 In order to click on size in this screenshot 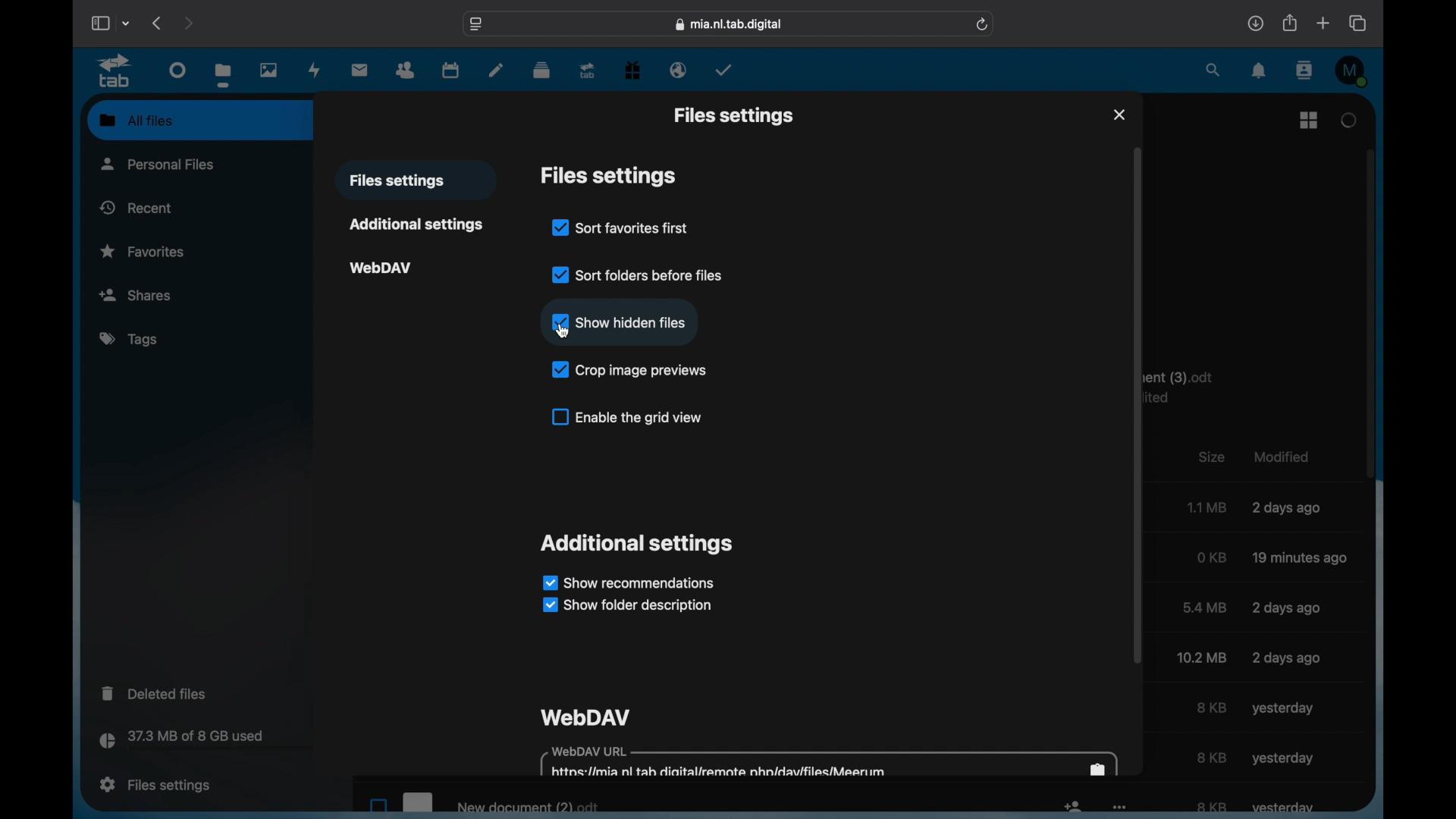, I will do `click(1211, 708)`.